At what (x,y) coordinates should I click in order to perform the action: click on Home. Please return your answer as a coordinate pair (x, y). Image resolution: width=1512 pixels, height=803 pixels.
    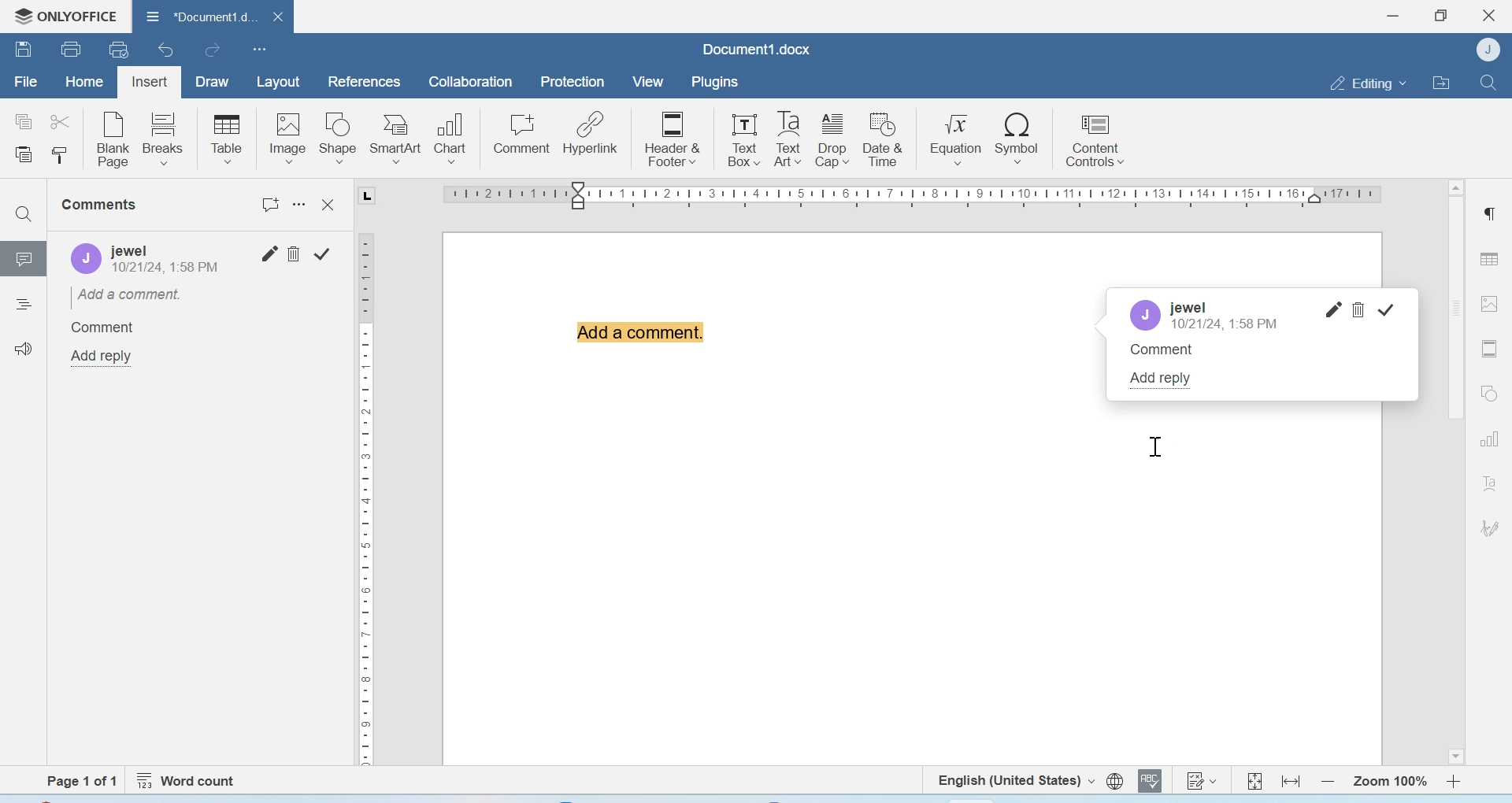
    Looking at the image, I should click on (83, 80).